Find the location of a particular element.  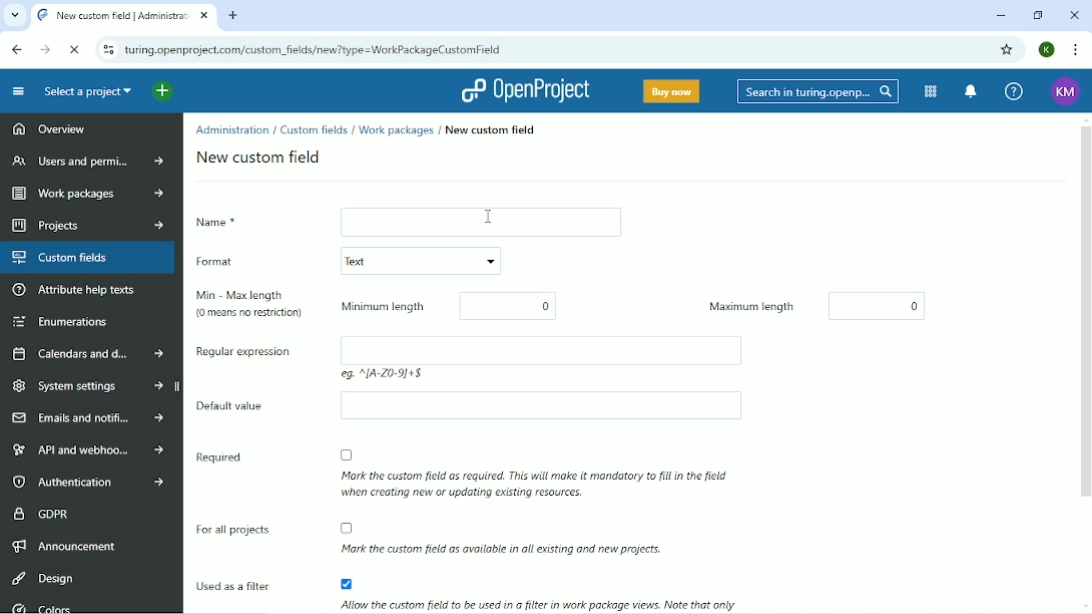

Empty box is located at coordinates (554, 346).